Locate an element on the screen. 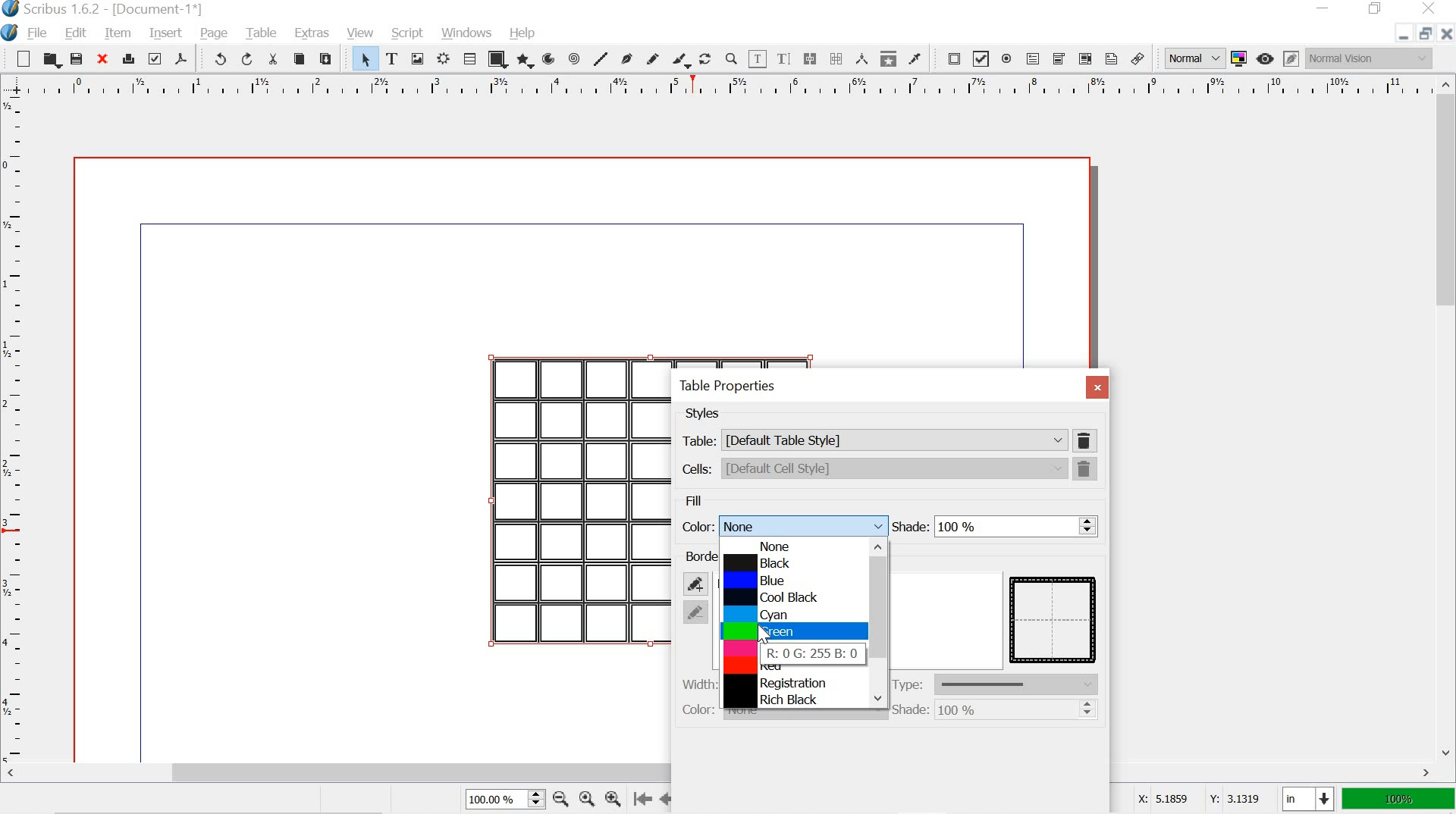  cyan is located at coordinates (767, 615).